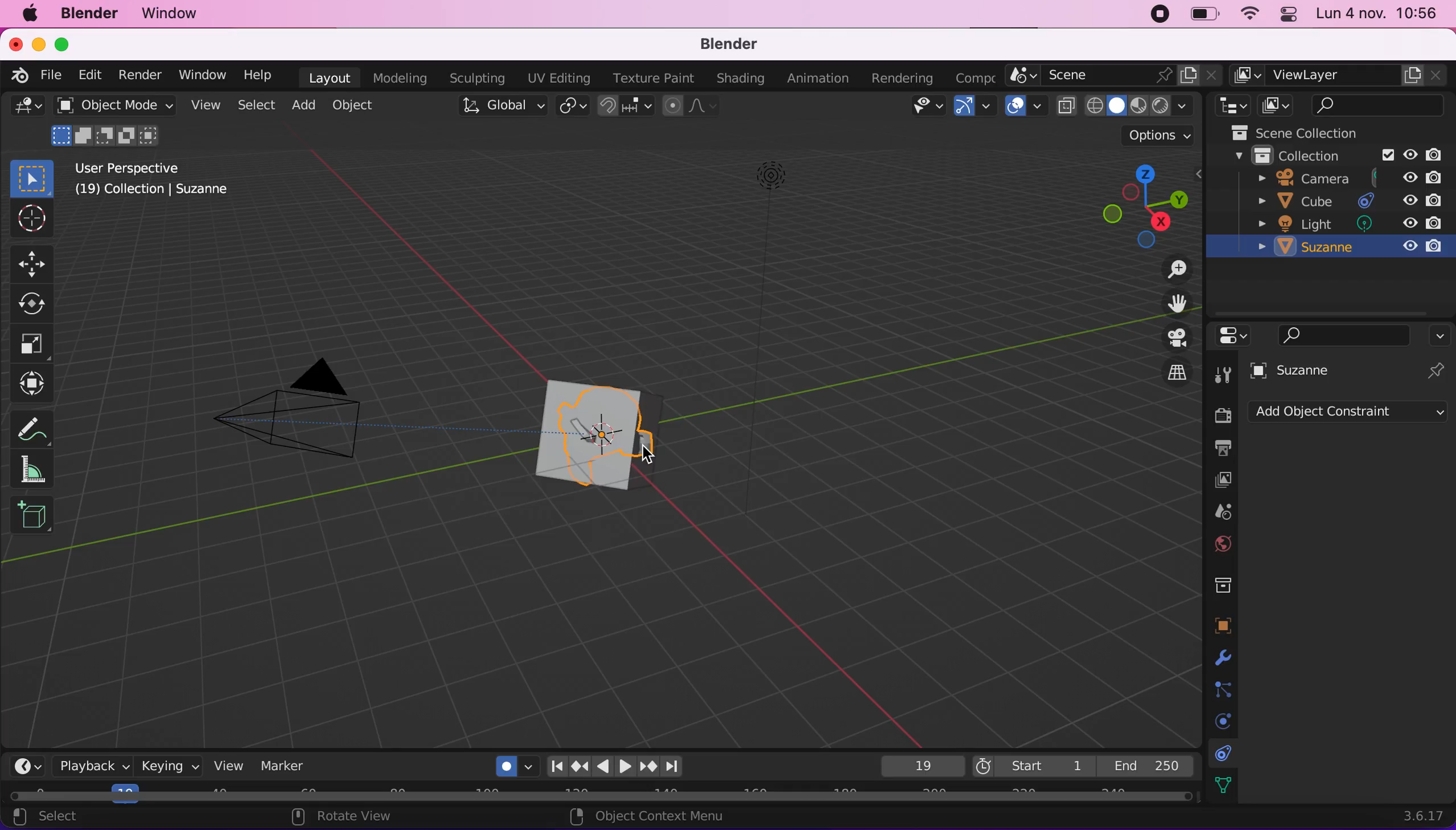  Describe the element at coordinates (1201, 14) in the screenshot. I see `battery` at that location.